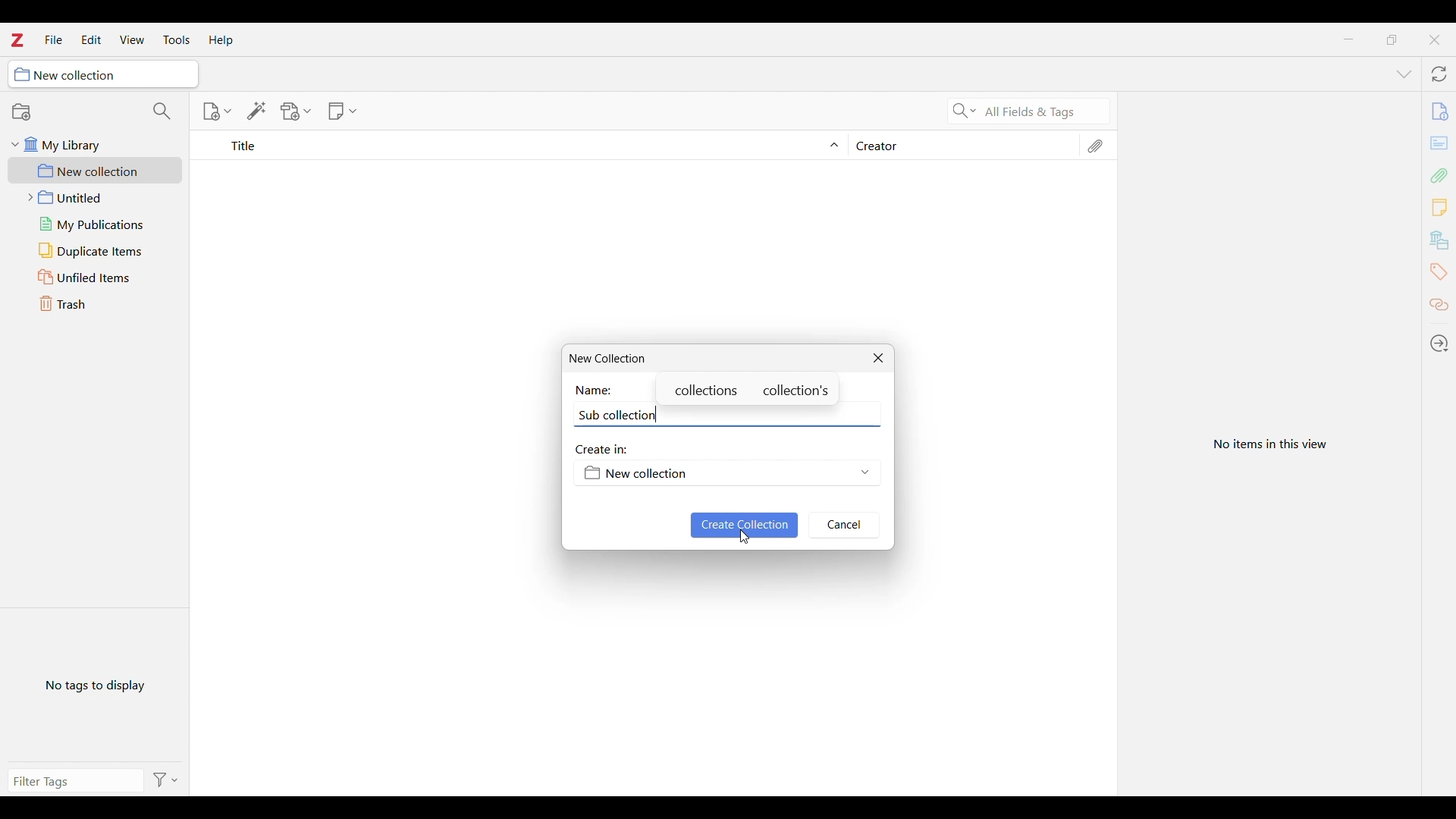 The height and width of the screenshot is (819, 1456). Describe the element at coordinates (257, 111) in the screenshot. I see `Add item/s by identifier` at that location.